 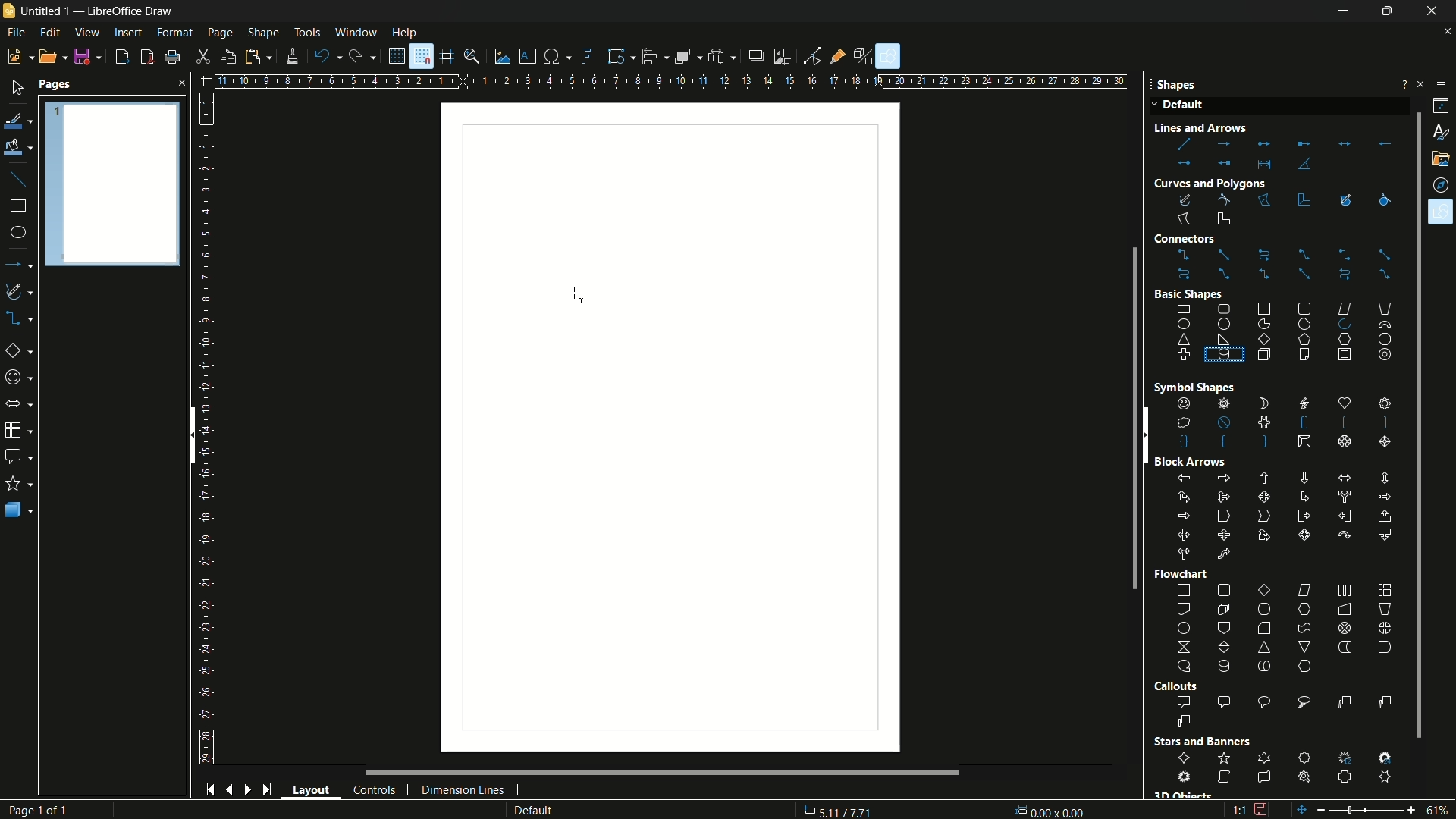 What do you see at coordinates (1286, 713) in the screenshot?
I see `callout` at bounding box center [1286, 713].